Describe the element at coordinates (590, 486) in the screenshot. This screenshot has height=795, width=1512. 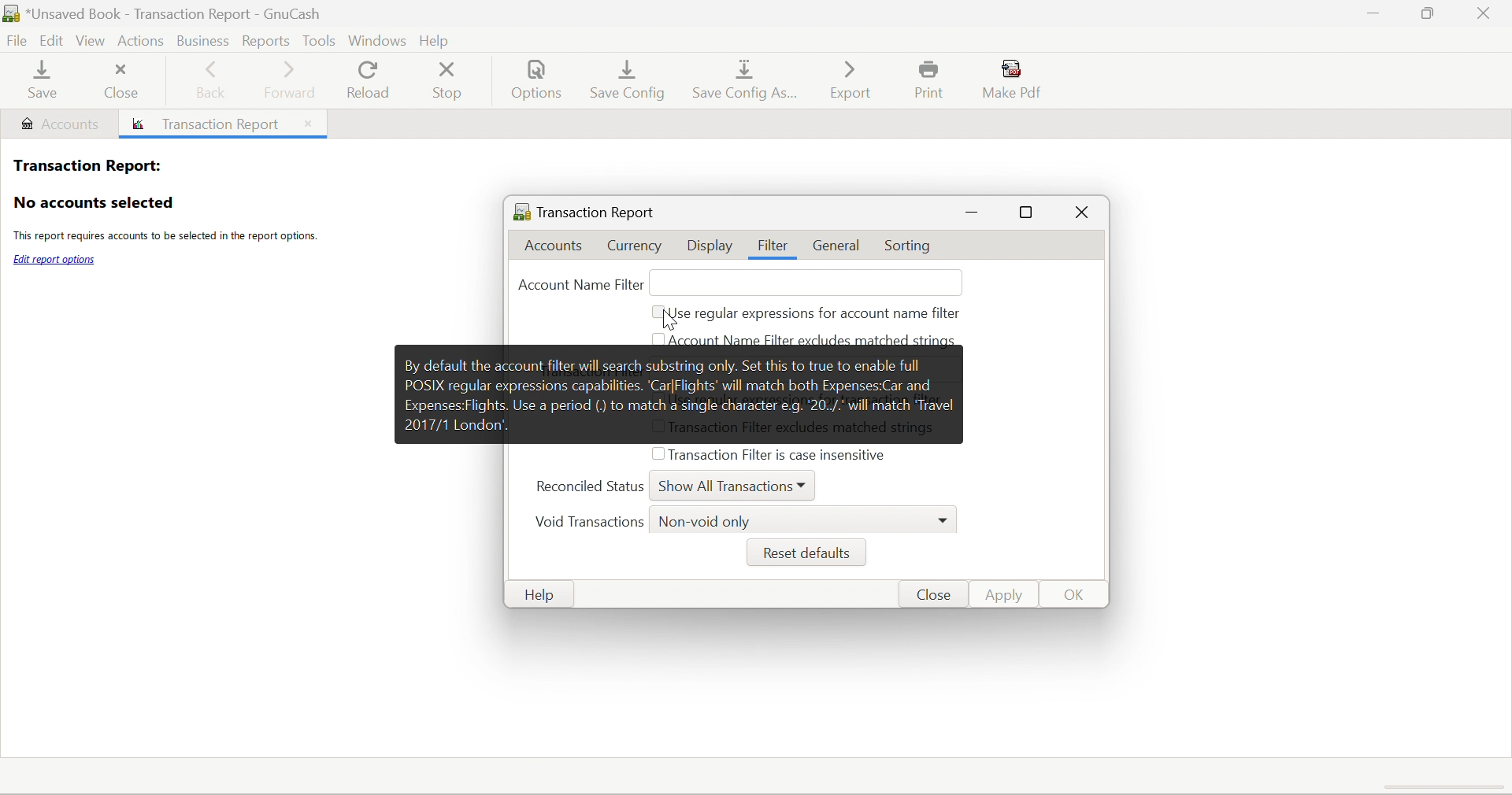
I see `Reconciled Status` at that location.